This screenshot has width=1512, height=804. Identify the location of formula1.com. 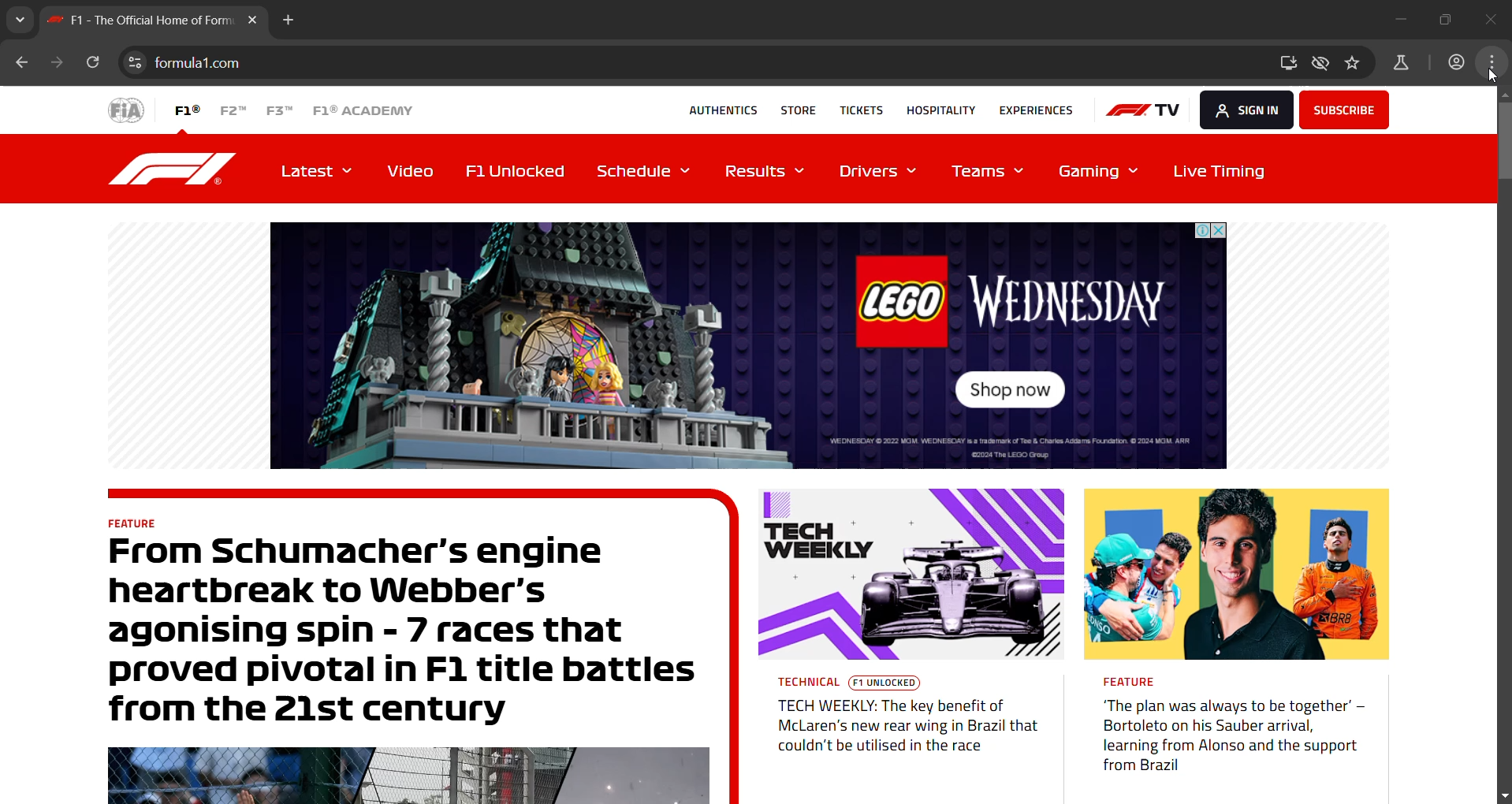
(703, 64).